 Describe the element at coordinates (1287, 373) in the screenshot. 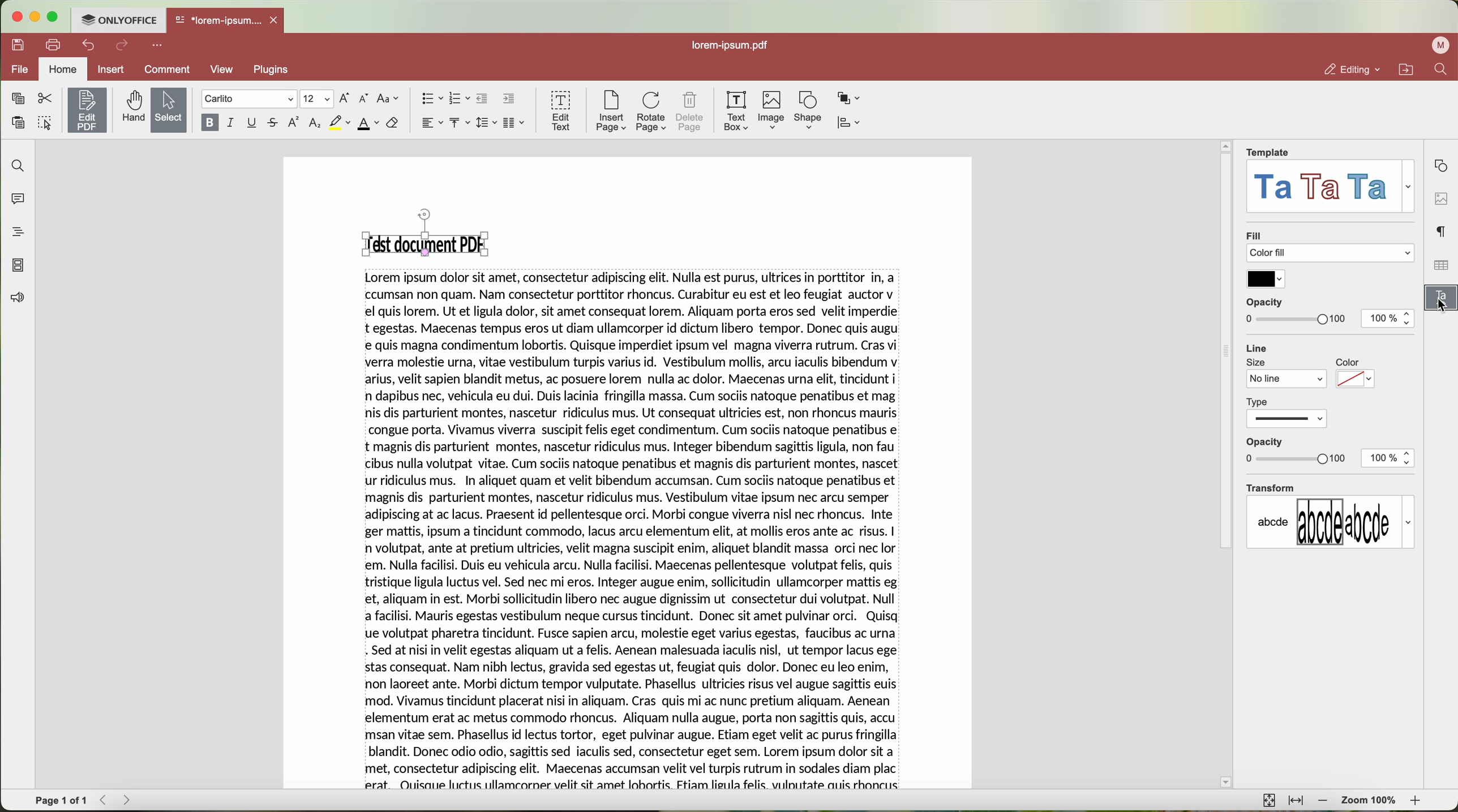

I see `size` at that location.